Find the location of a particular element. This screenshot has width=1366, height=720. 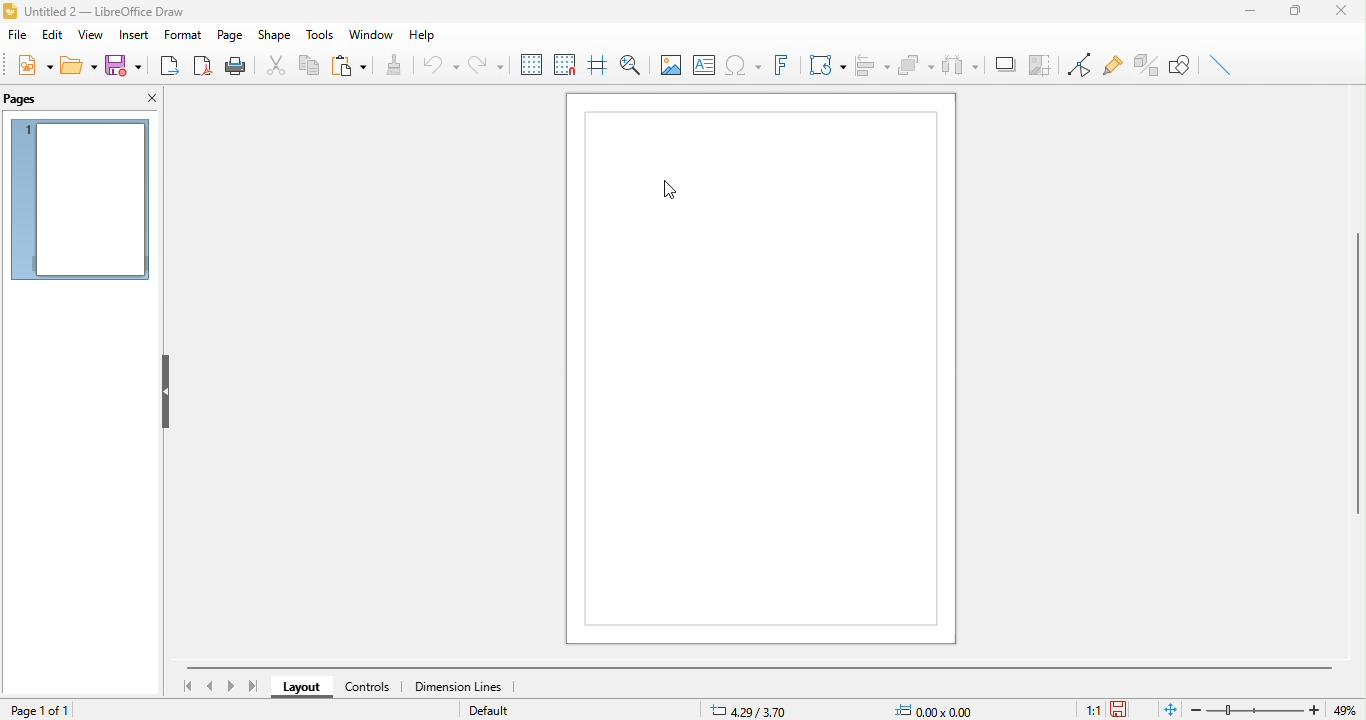

controls is located at coordinates (370, 689).